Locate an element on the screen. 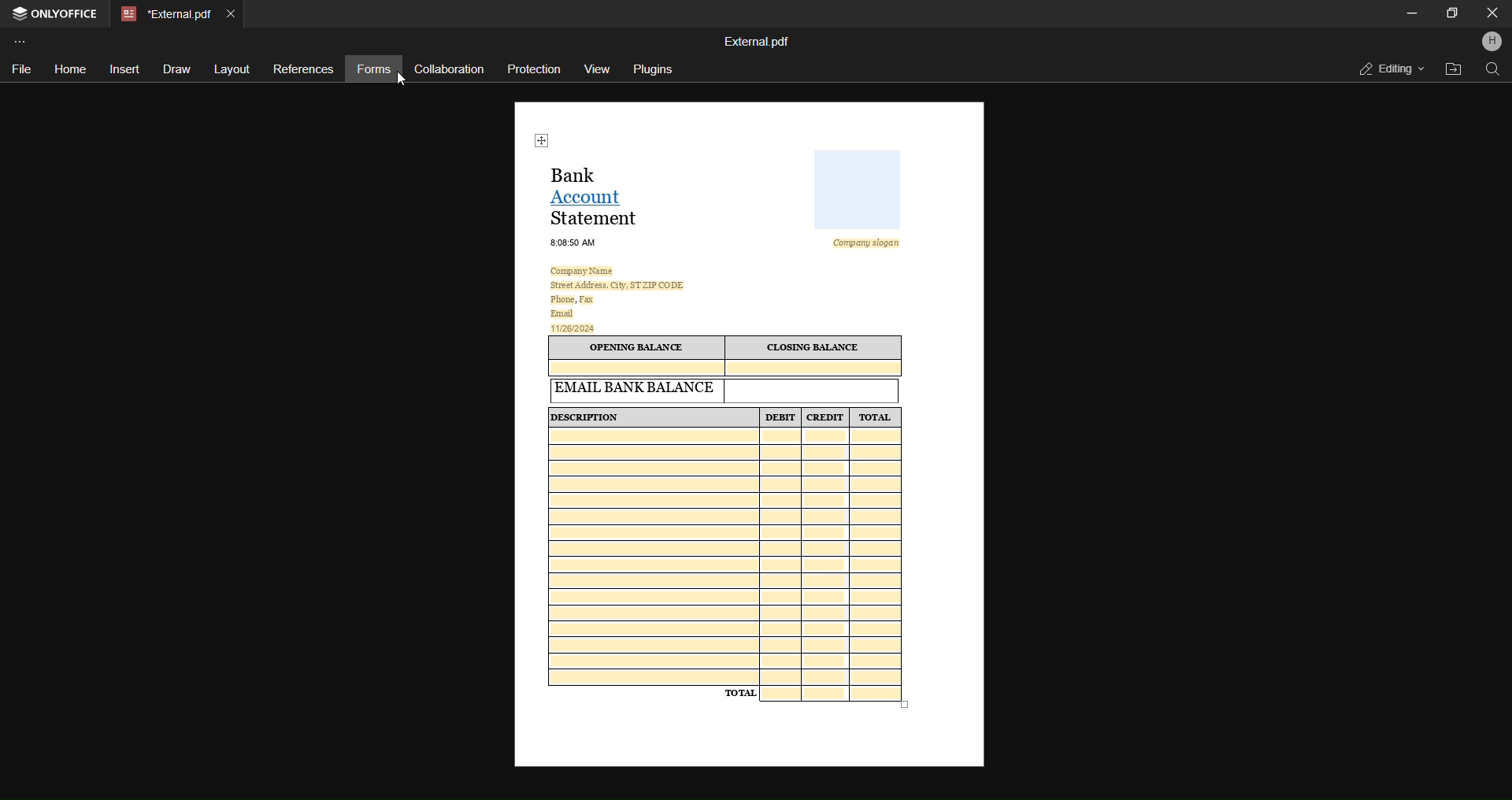 The height and width of the screenshot is (800, 1512). customize toolbar is located at coordinates (23, 41).